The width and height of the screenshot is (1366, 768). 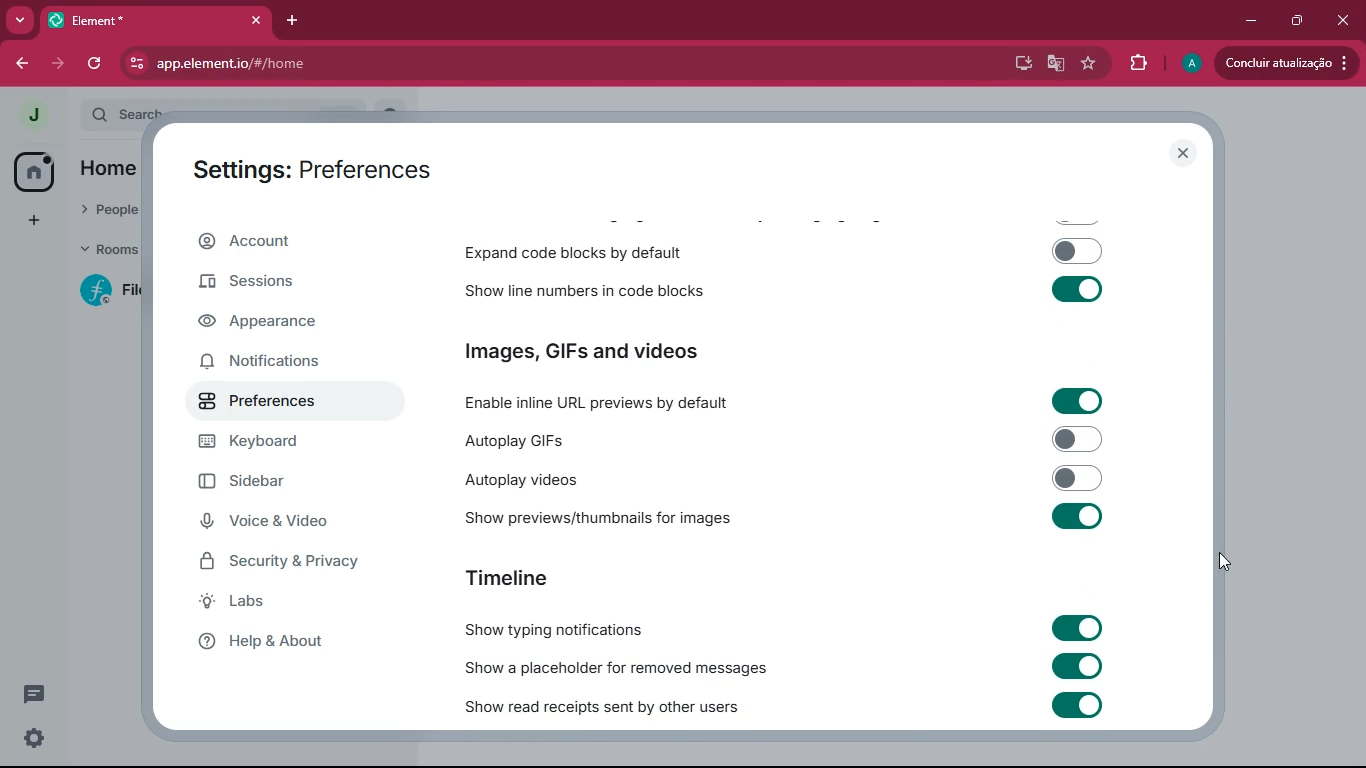 What do you see at coordinates (268, 482) in the screenshot?
I see `sidebar` at bounding box center [268, 482].